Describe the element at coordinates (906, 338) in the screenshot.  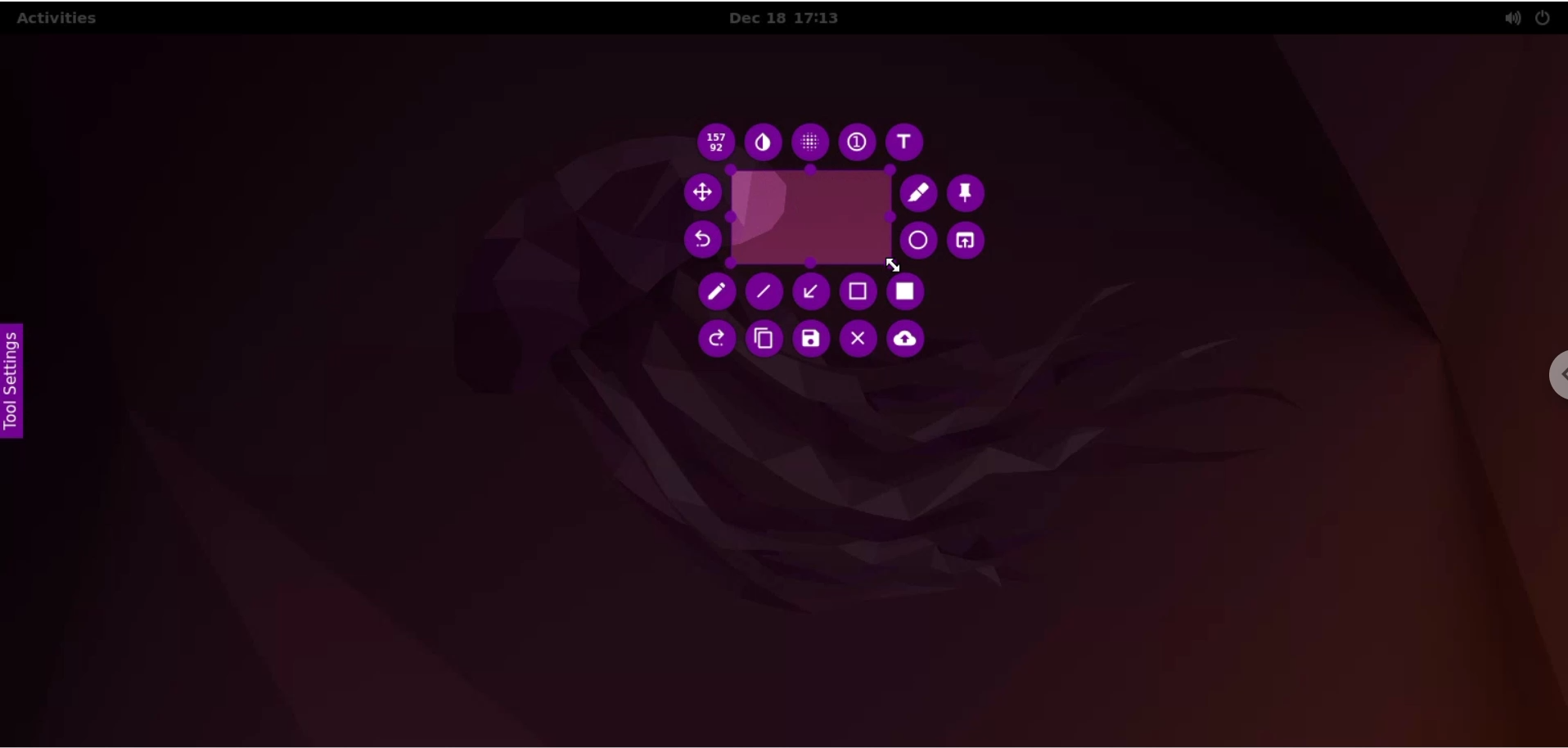
I see `upload` at that location.